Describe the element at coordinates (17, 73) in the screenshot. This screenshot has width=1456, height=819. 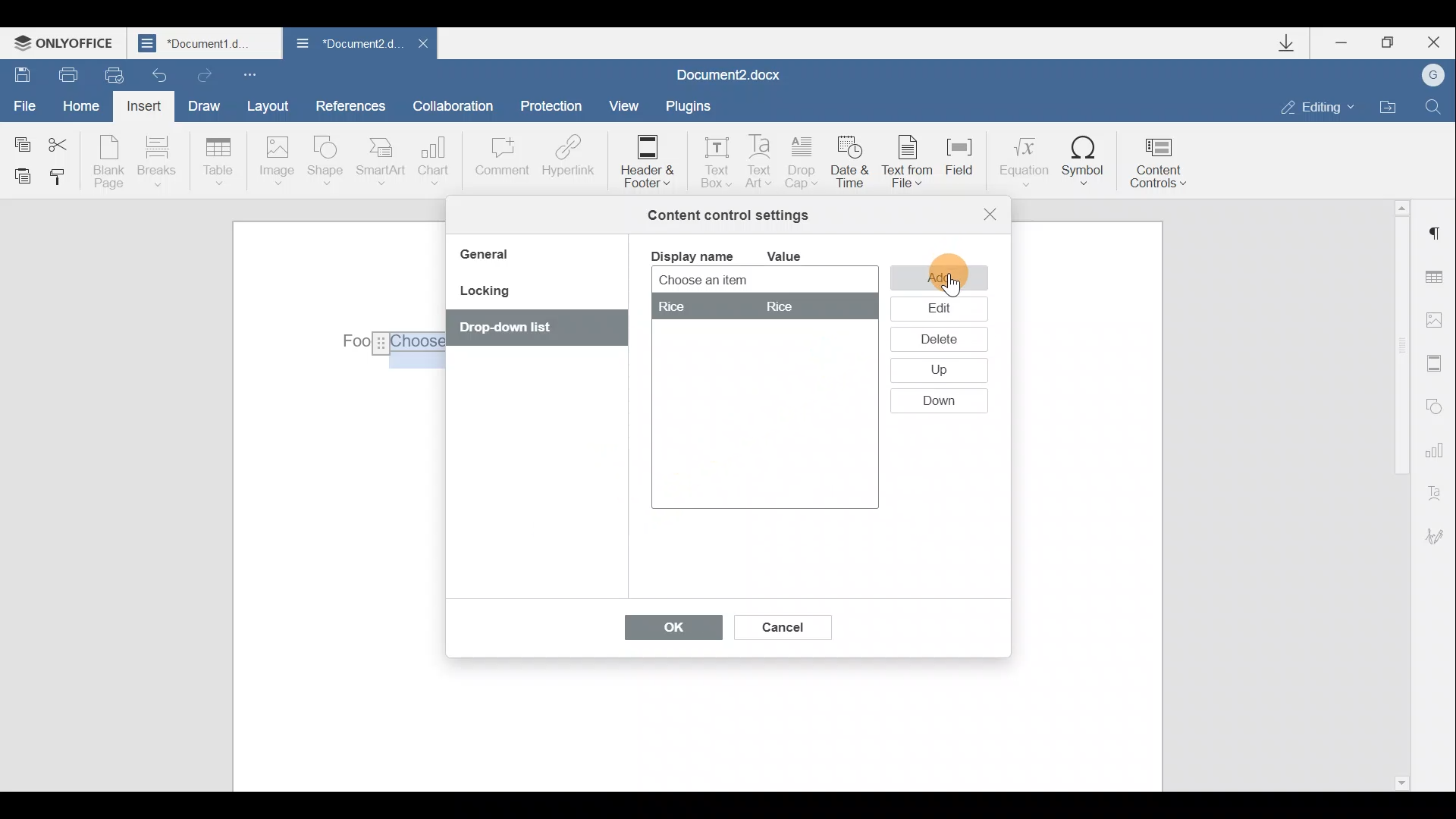
I see `Save` at that location.